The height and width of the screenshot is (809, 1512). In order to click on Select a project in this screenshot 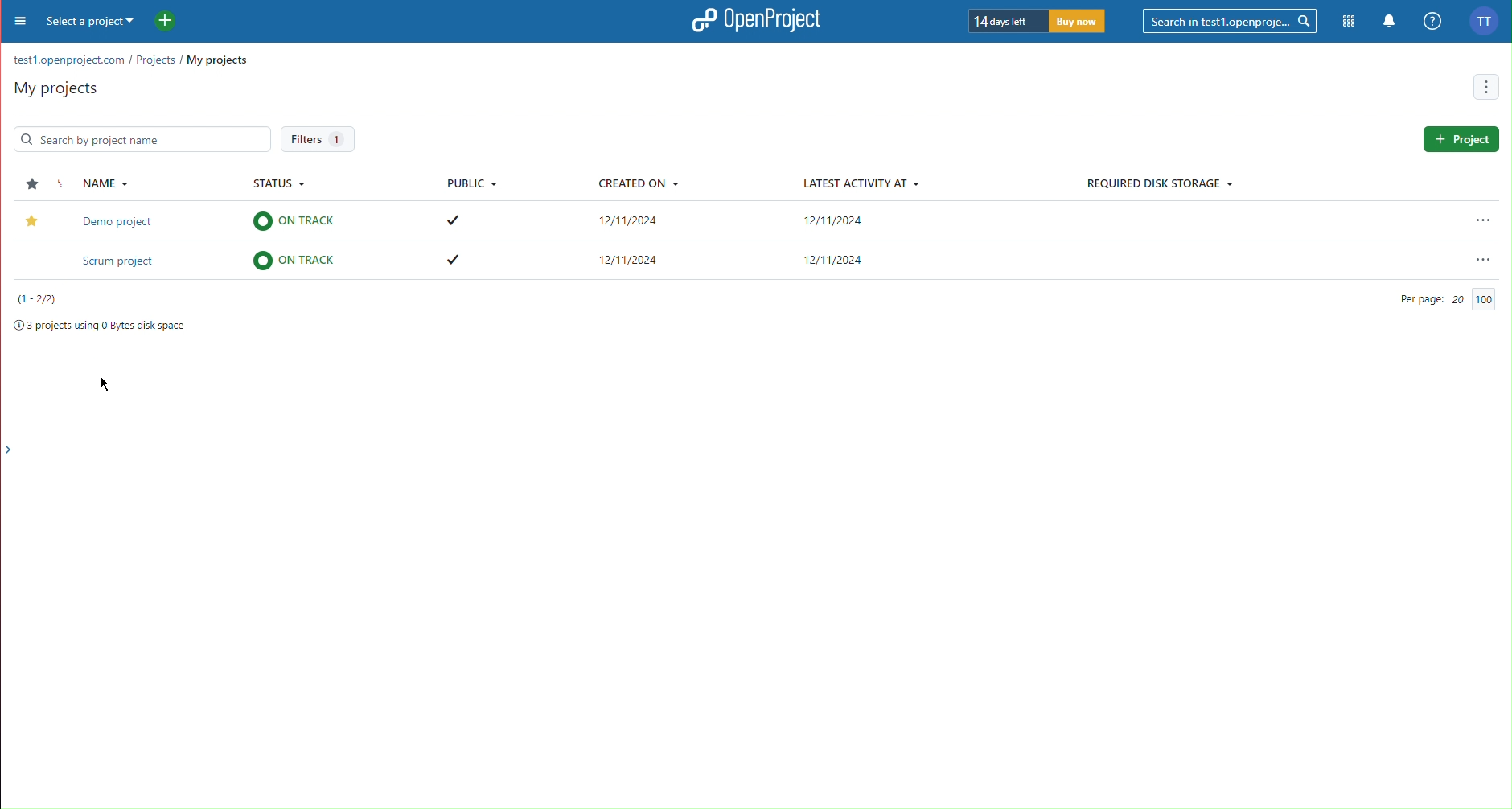, I will do `click(92, 23)`.